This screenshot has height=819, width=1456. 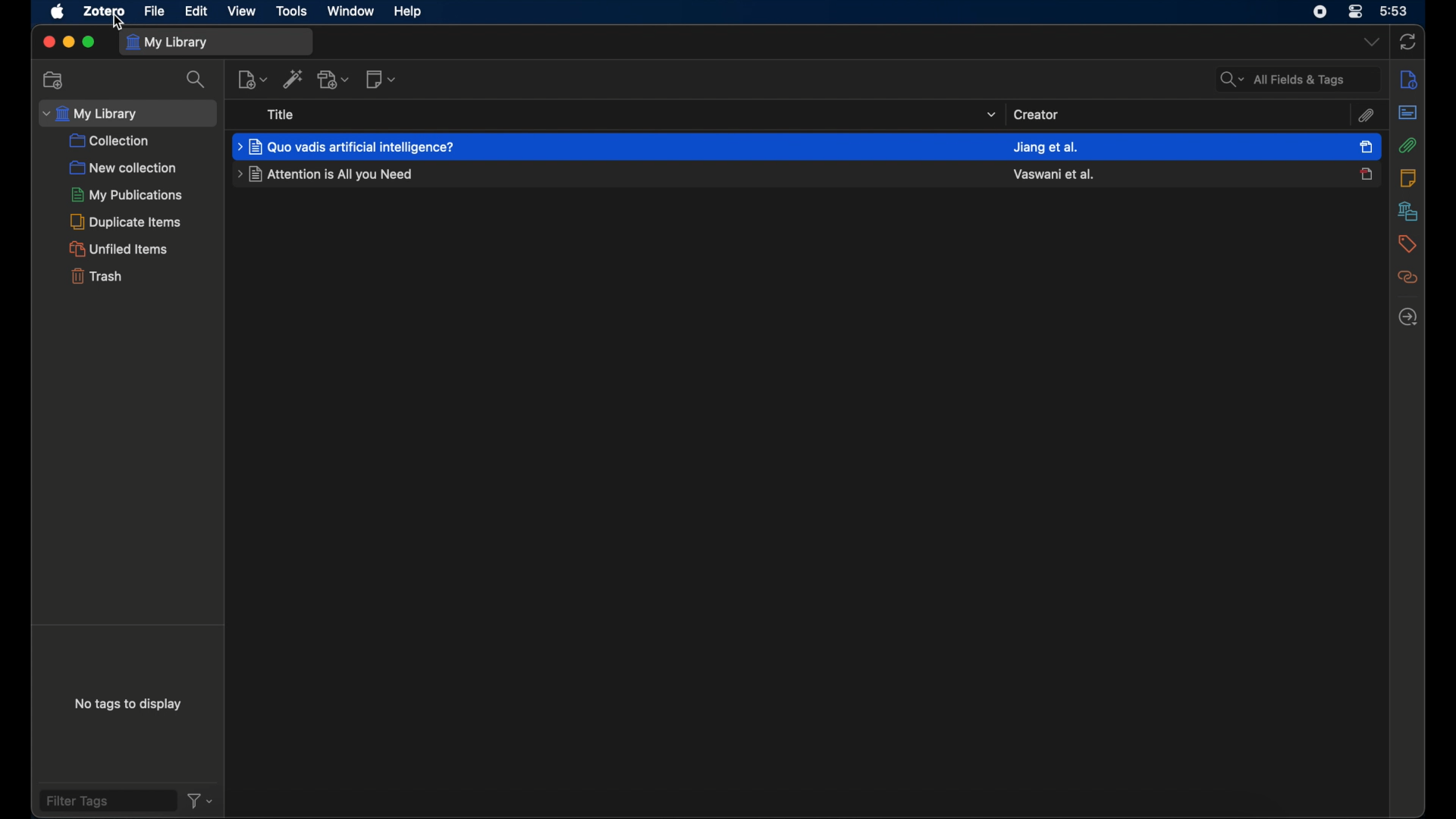 What do you see at coordinates (69, 42) in the screenshot?
I see `minimize` at bounding box center [69, 42].